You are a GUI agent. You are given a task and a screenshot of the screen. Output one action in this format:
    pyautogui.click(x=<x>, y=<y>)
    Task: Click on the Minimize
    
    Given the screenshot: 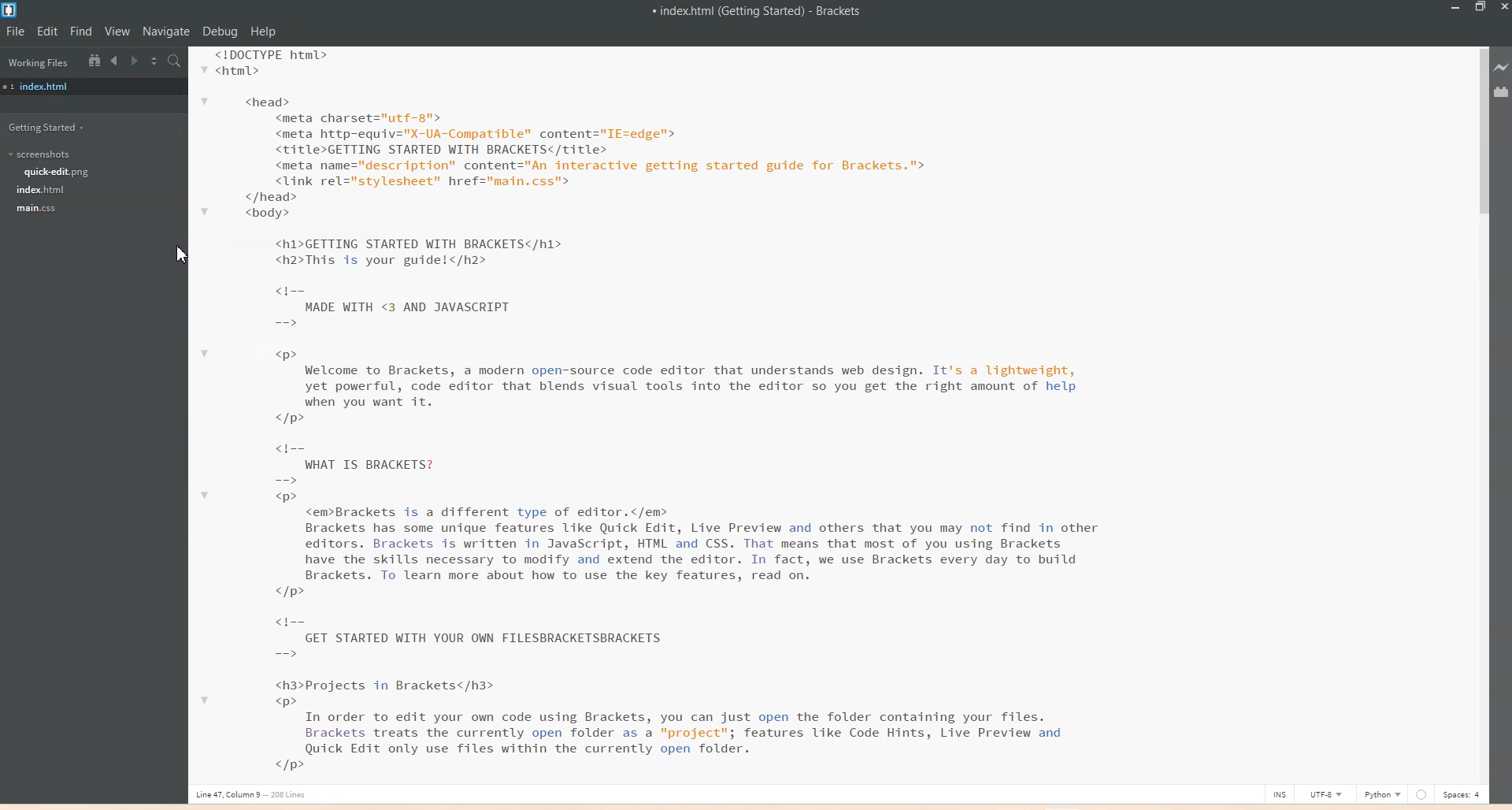 What is the action you would take?
    pyautogui.click(x=1457, y=8)
    